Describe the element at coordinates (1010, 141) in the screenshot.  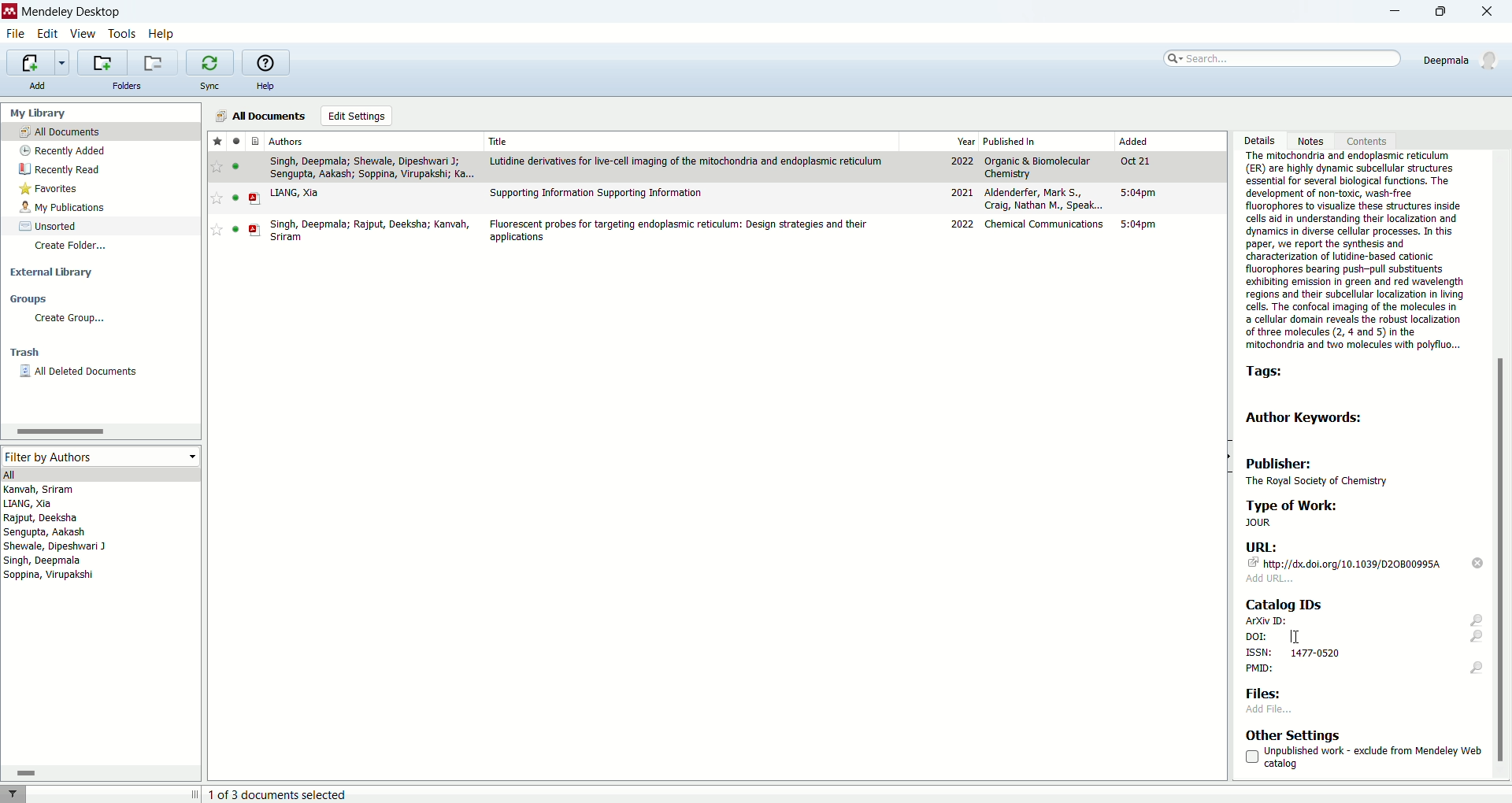
I see `published in` at that location.